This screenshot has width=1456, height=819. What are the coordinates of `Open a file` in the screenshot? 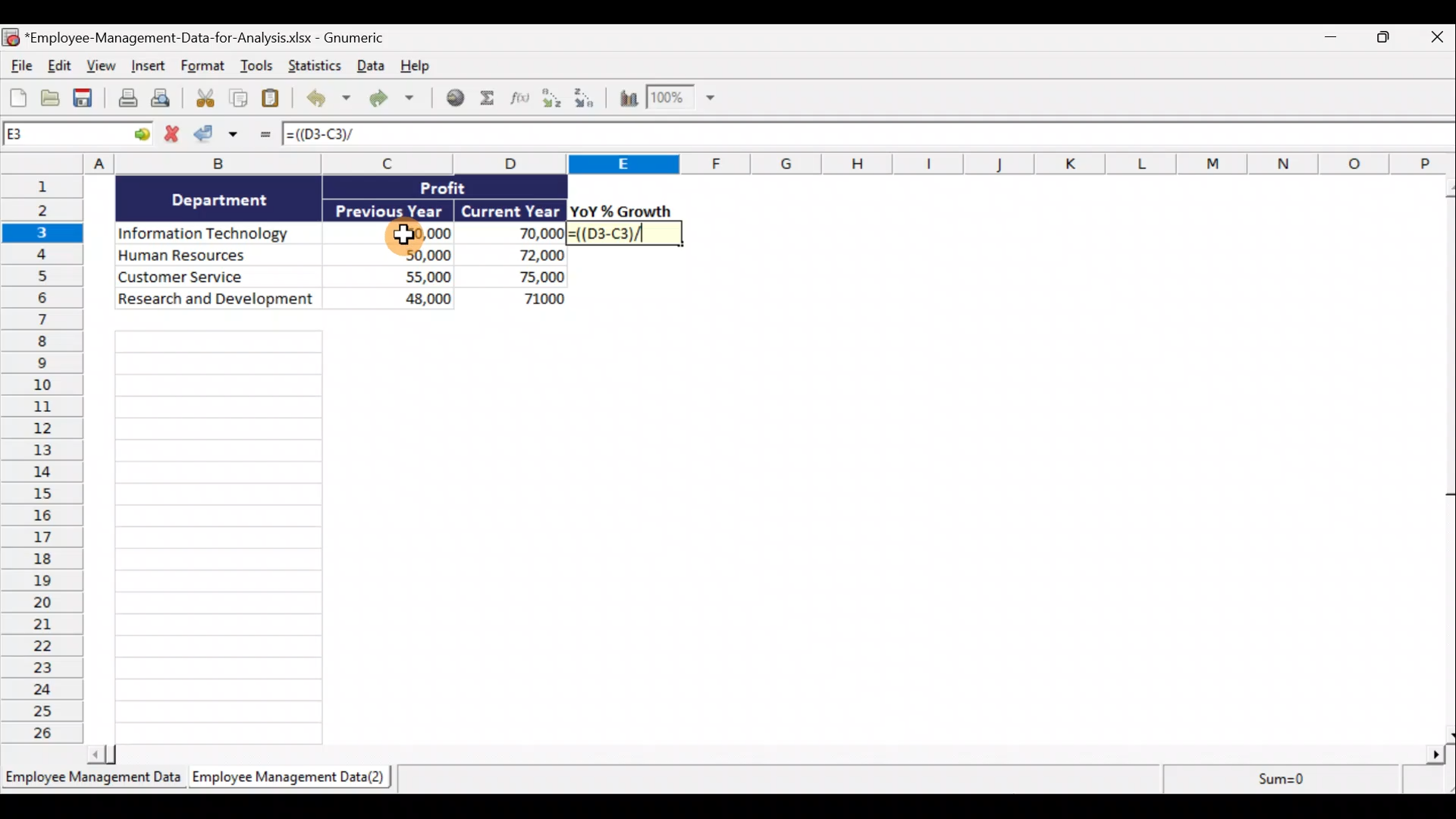 It's located at (52, 98).